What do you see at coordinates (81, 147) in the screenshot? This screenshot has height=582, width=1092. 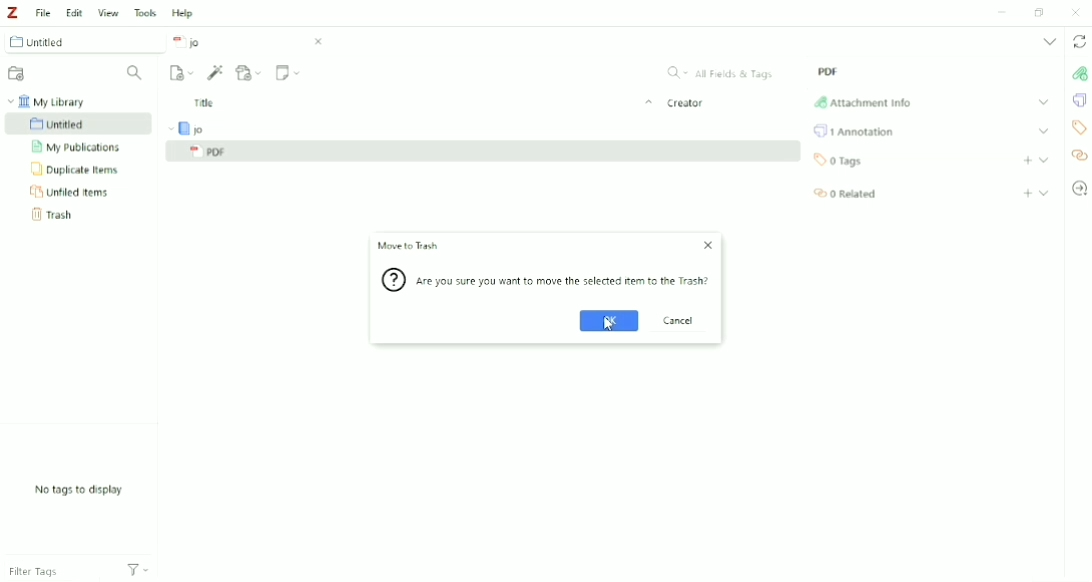 I see `My Publication` at bounding box center [81, 147].